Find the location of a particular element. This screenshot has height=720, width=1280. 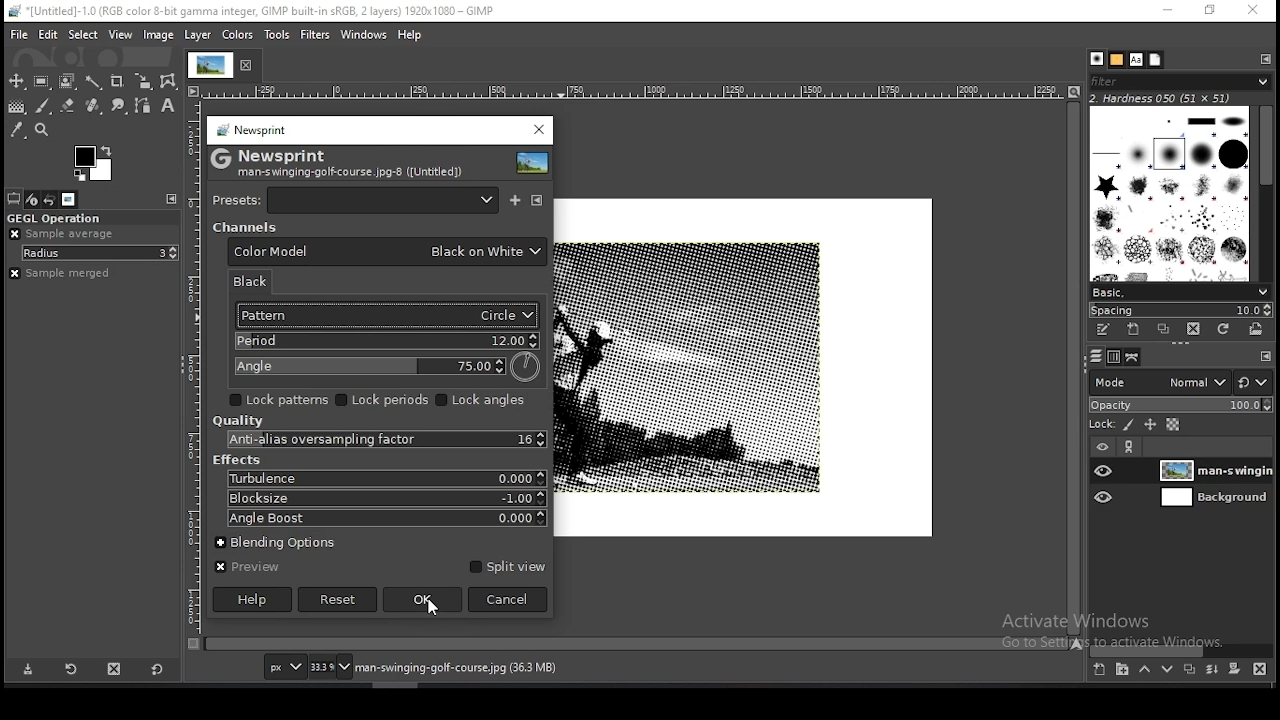

mouse pointer is located at coordinates (433, 612).